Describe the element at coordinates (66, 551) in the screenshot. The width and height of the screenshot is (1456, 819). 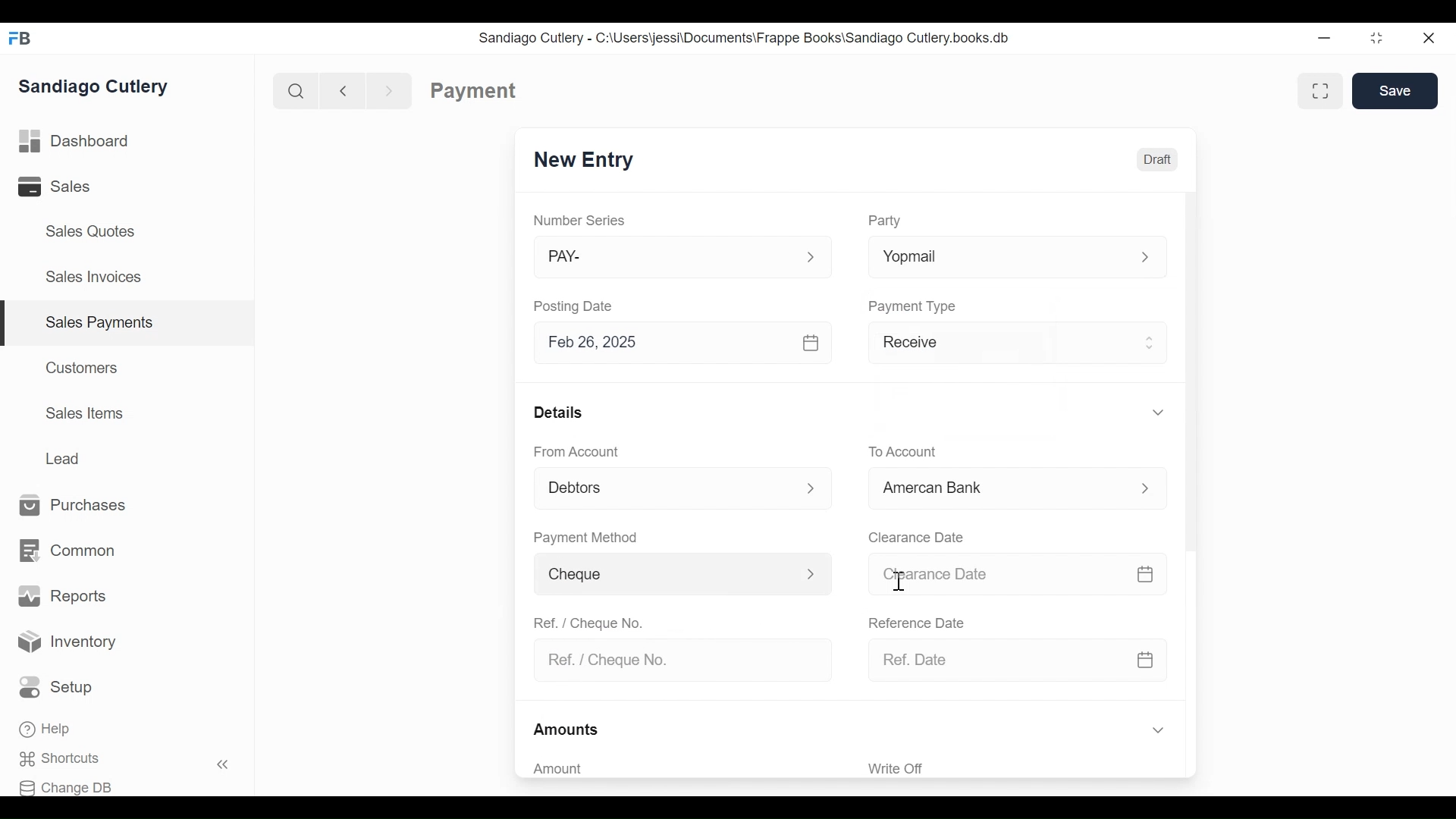
I see `Common` at that location.